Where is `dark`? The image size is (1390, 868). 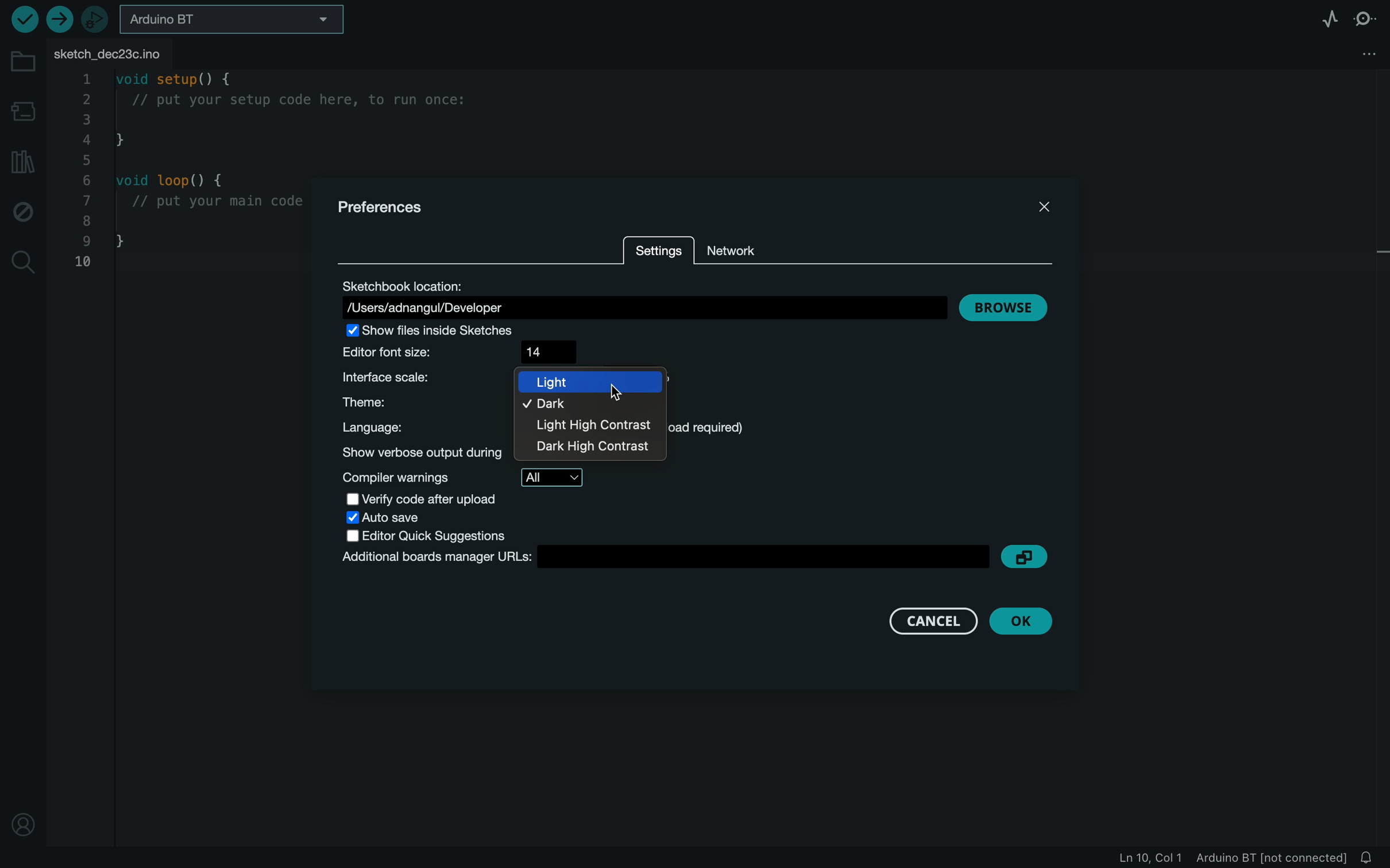
dark is located at coordinates (565, 406).